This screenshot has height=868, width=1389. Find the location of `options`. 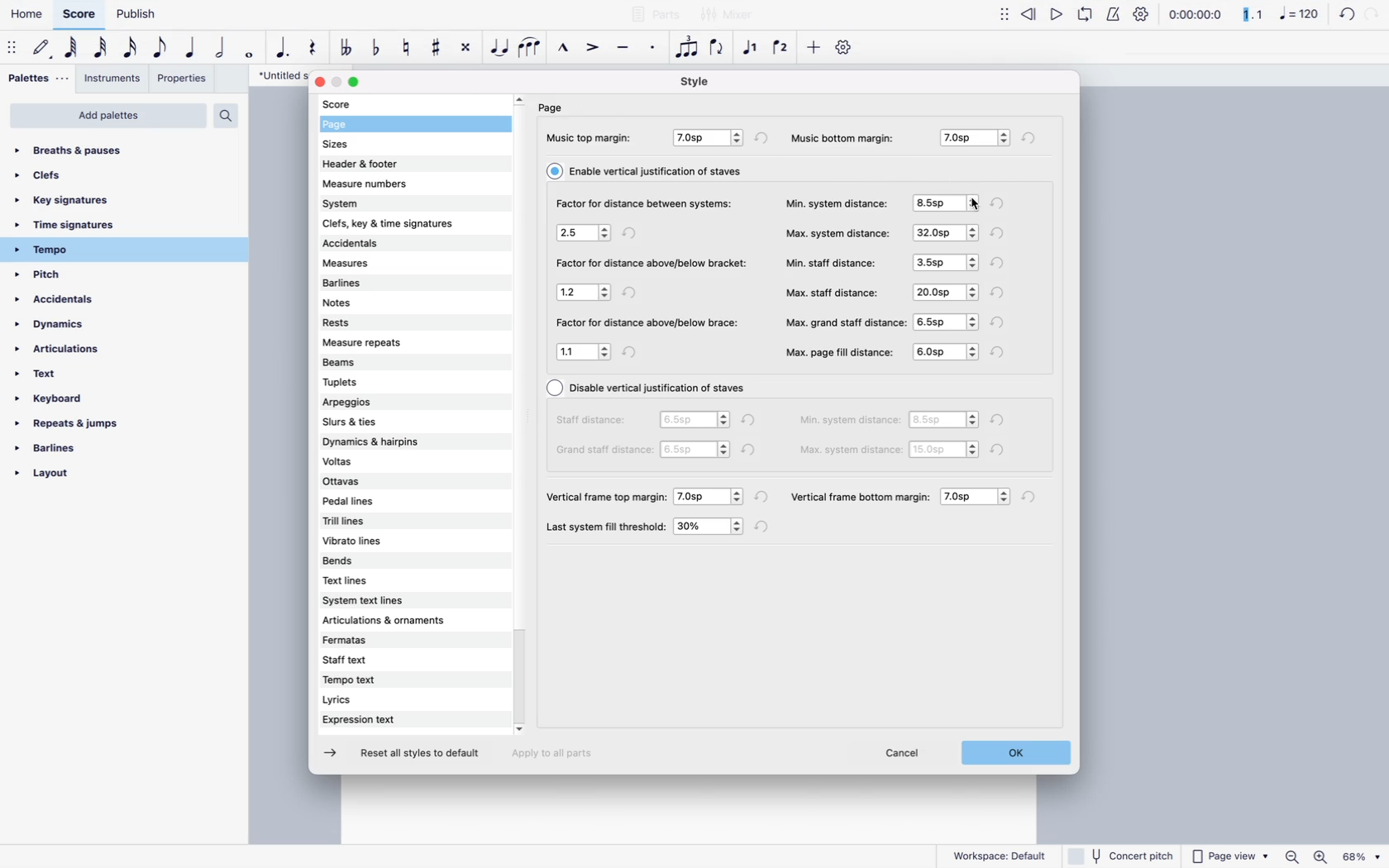

options is located at coordinates (944, 291).